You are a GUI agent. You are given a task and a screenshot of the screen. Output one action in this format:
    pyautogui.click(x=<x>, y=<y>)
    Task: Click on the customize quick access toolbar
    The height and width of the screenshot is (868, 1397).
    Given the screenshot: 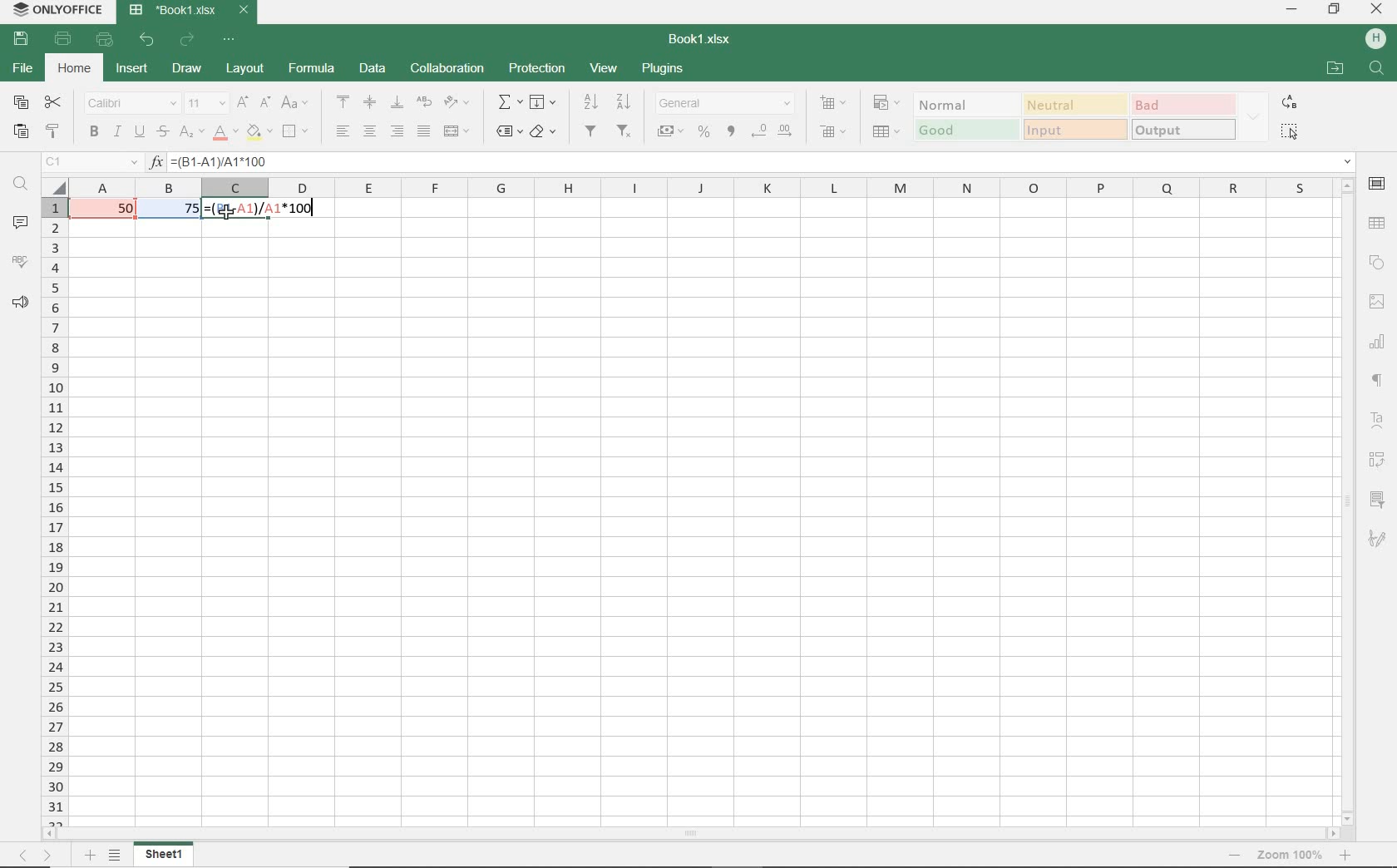 What is the action you would take?
    pyautogui.click(x=231, y=42)
    